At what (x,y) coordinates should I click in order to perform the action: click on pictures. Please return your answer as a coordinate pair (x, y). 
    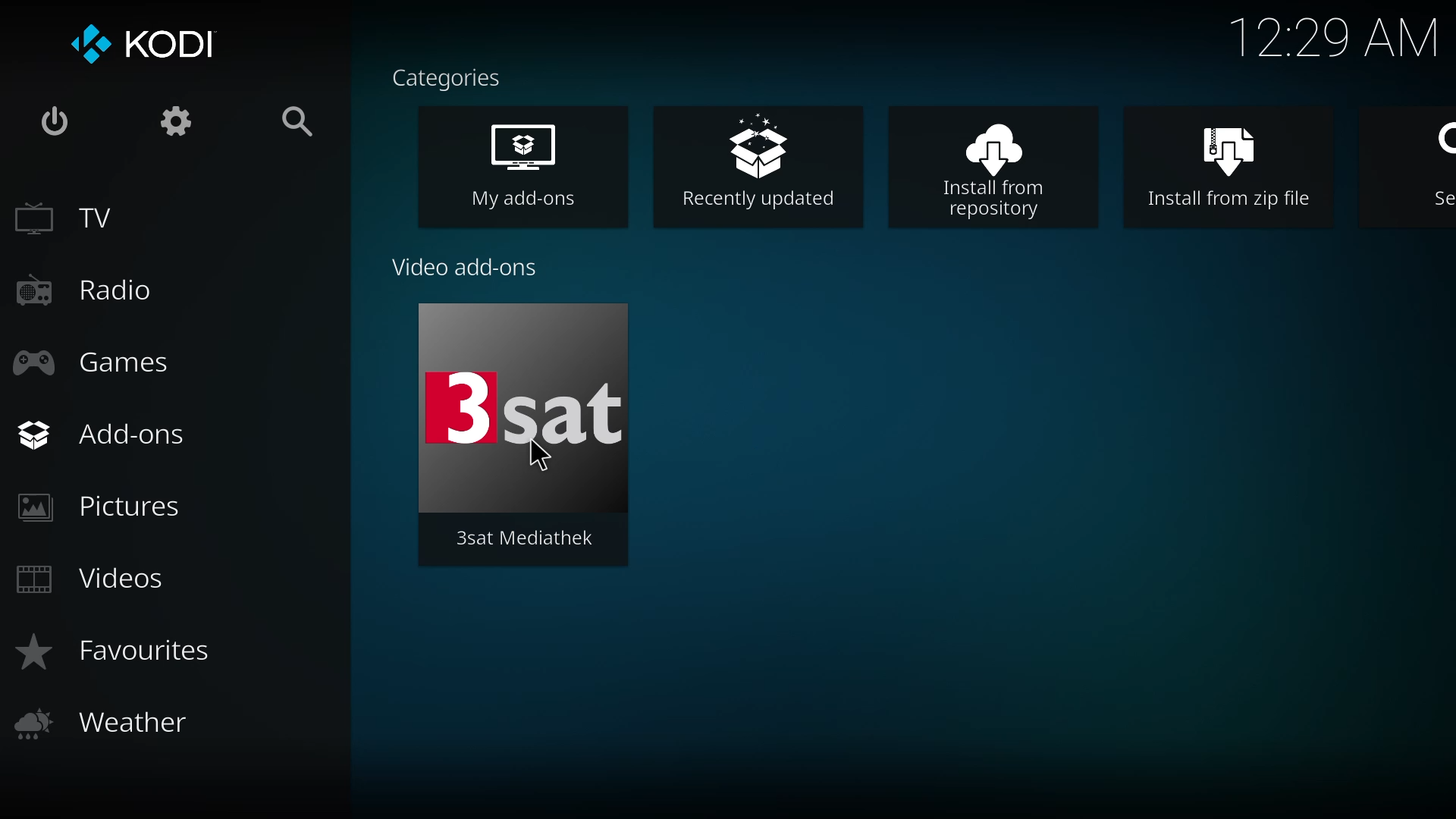
    Looking at the image, I should click on (111, 506).